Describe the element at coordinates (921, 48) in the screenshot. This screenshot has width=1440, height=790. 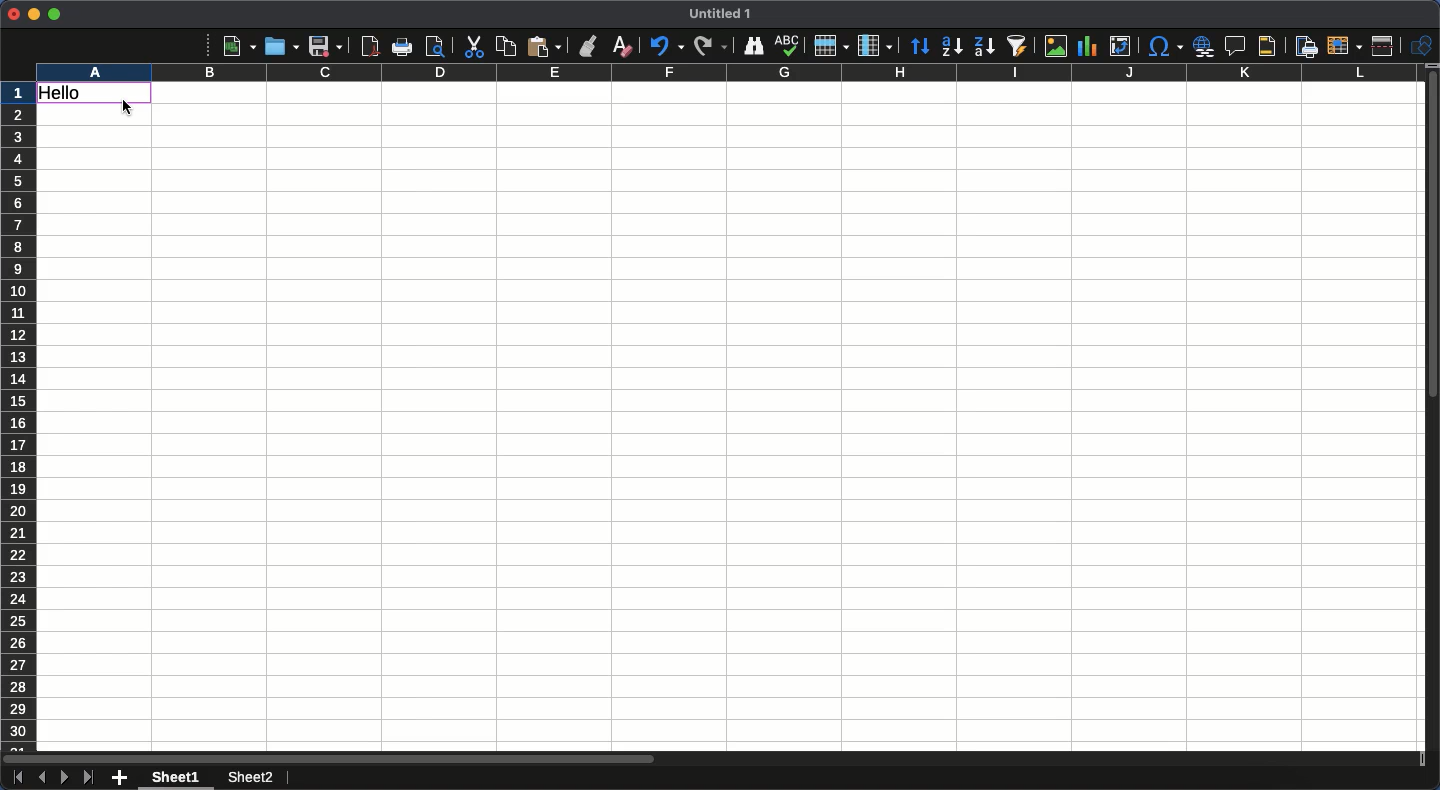
I see `Sort` at that location.